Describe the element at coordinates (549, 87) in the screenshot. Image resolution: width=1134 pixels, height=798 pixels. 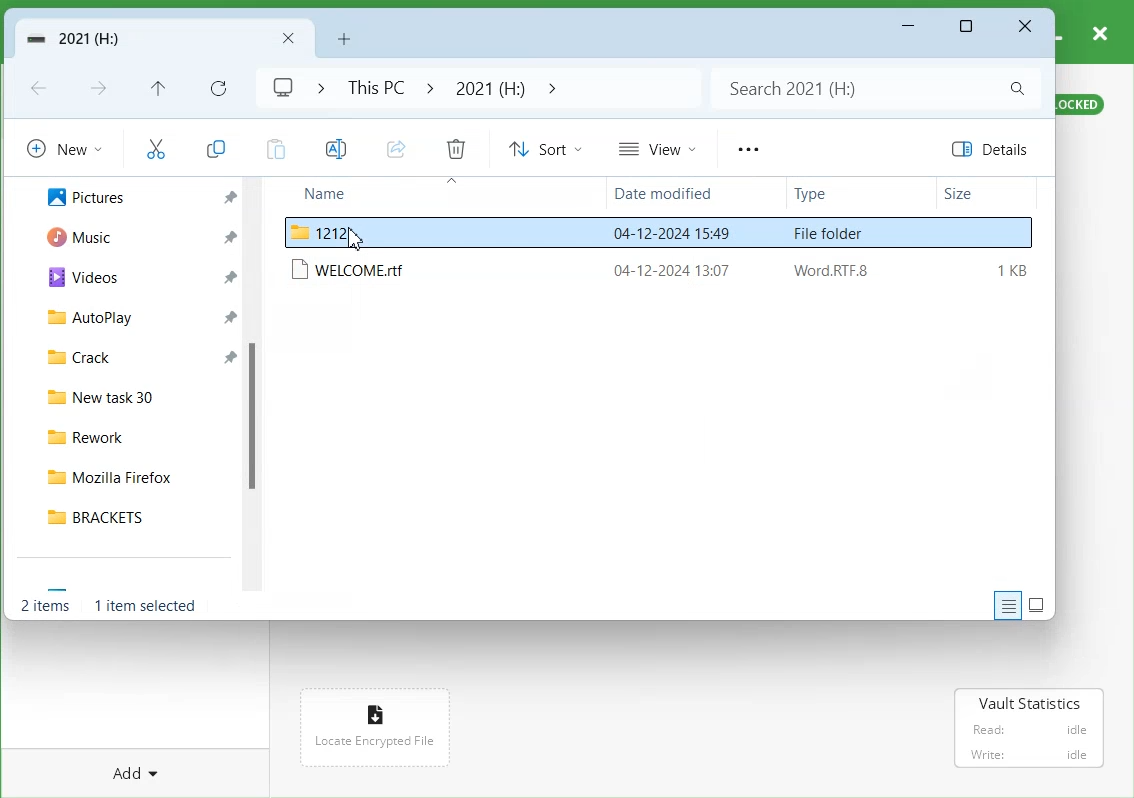
I see `Drop down box` at that location.